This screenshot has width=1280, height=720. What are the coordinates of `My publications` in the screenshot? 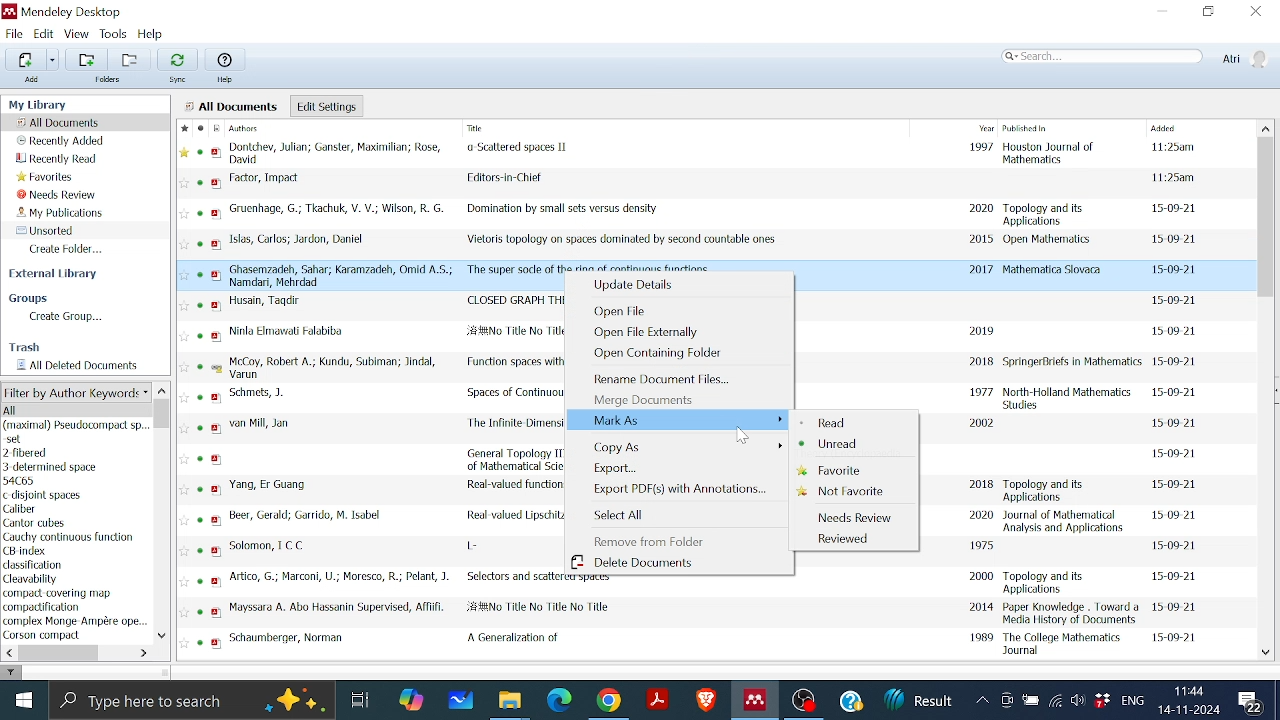 It's located at (63, 213).